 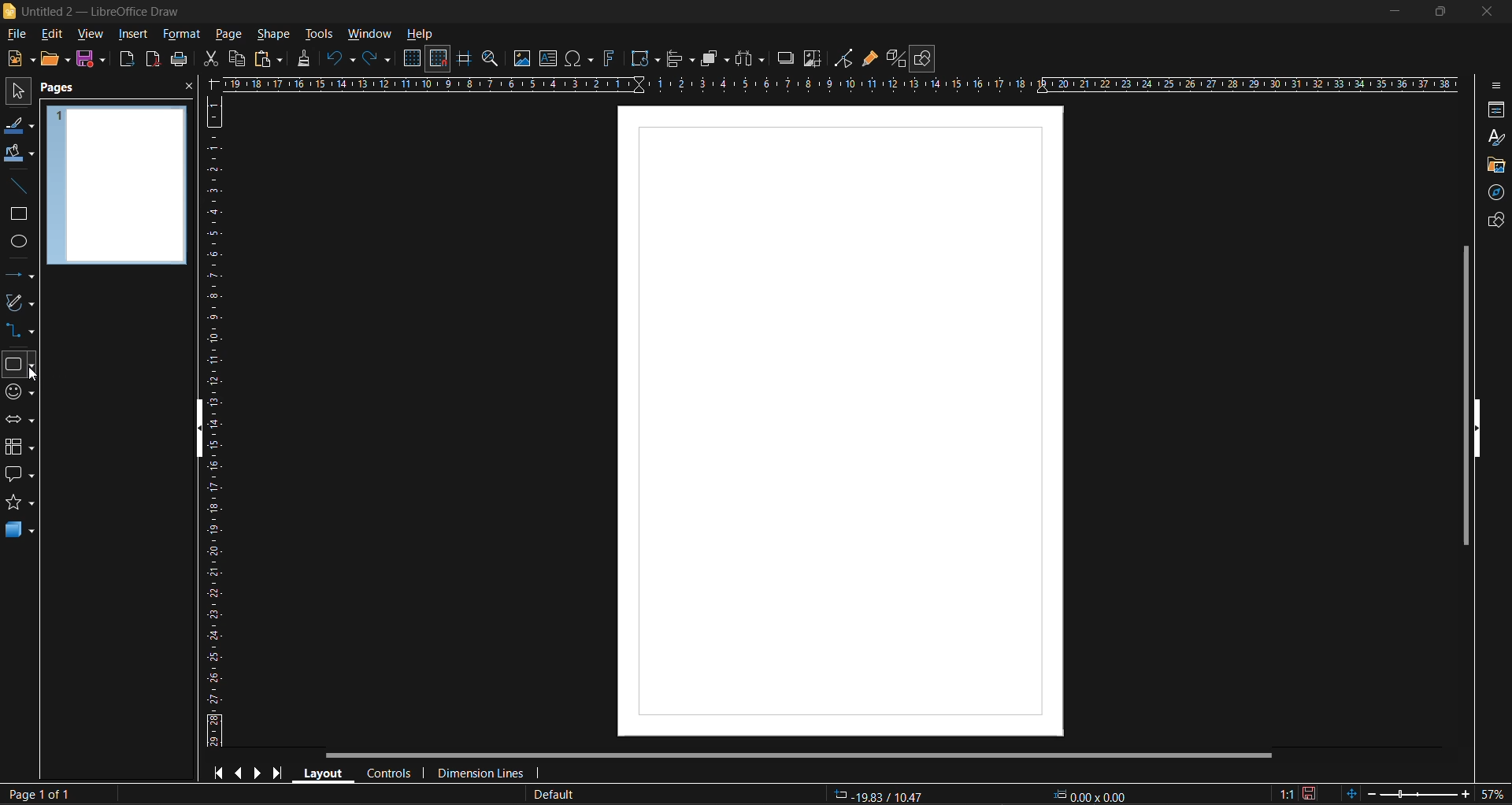 What do you see at coordinates (308, 59) in the screenshot?
I see `clone formatting` at bounding box center [308, 59].